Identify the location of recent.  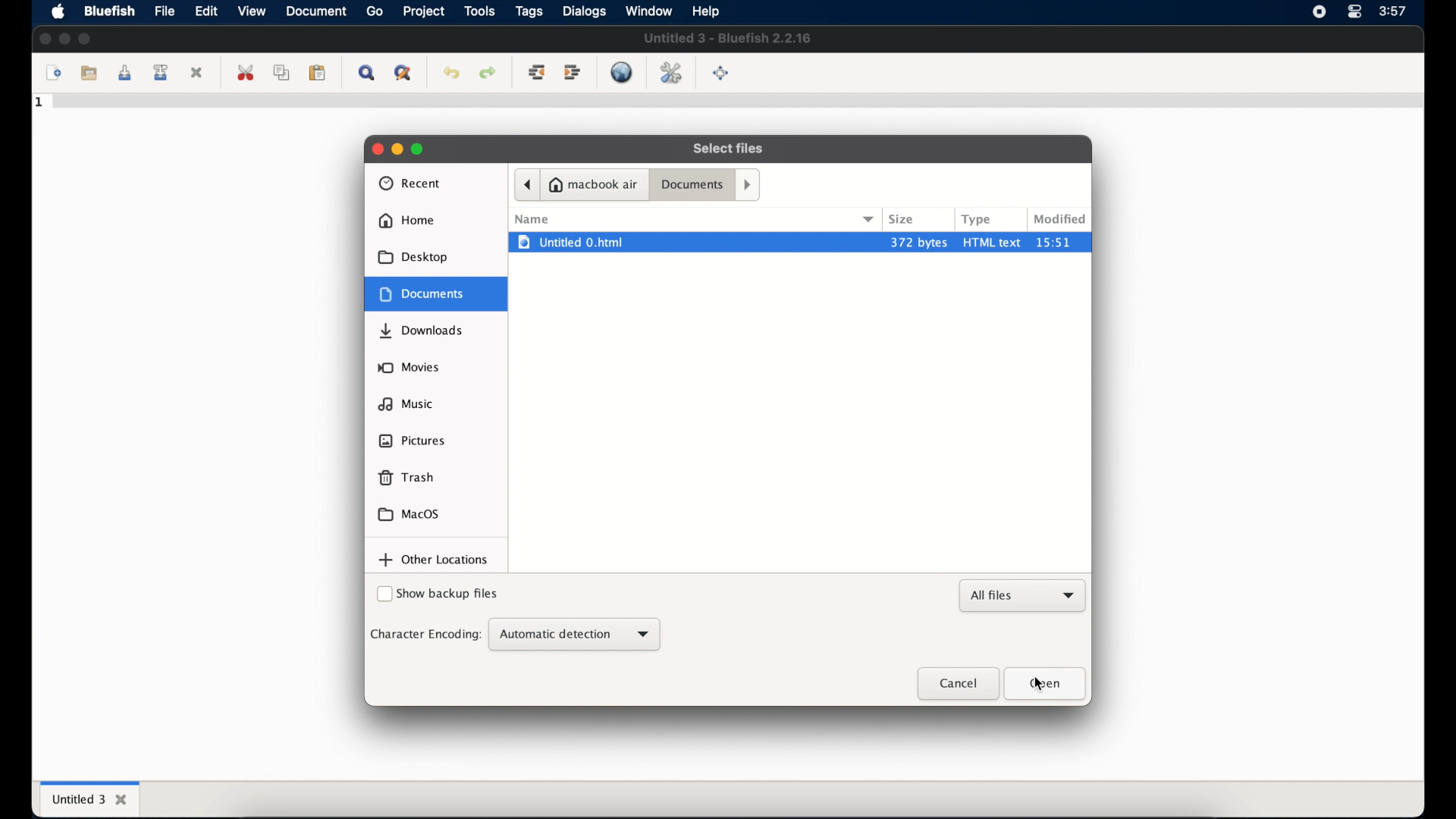
(410, 184).